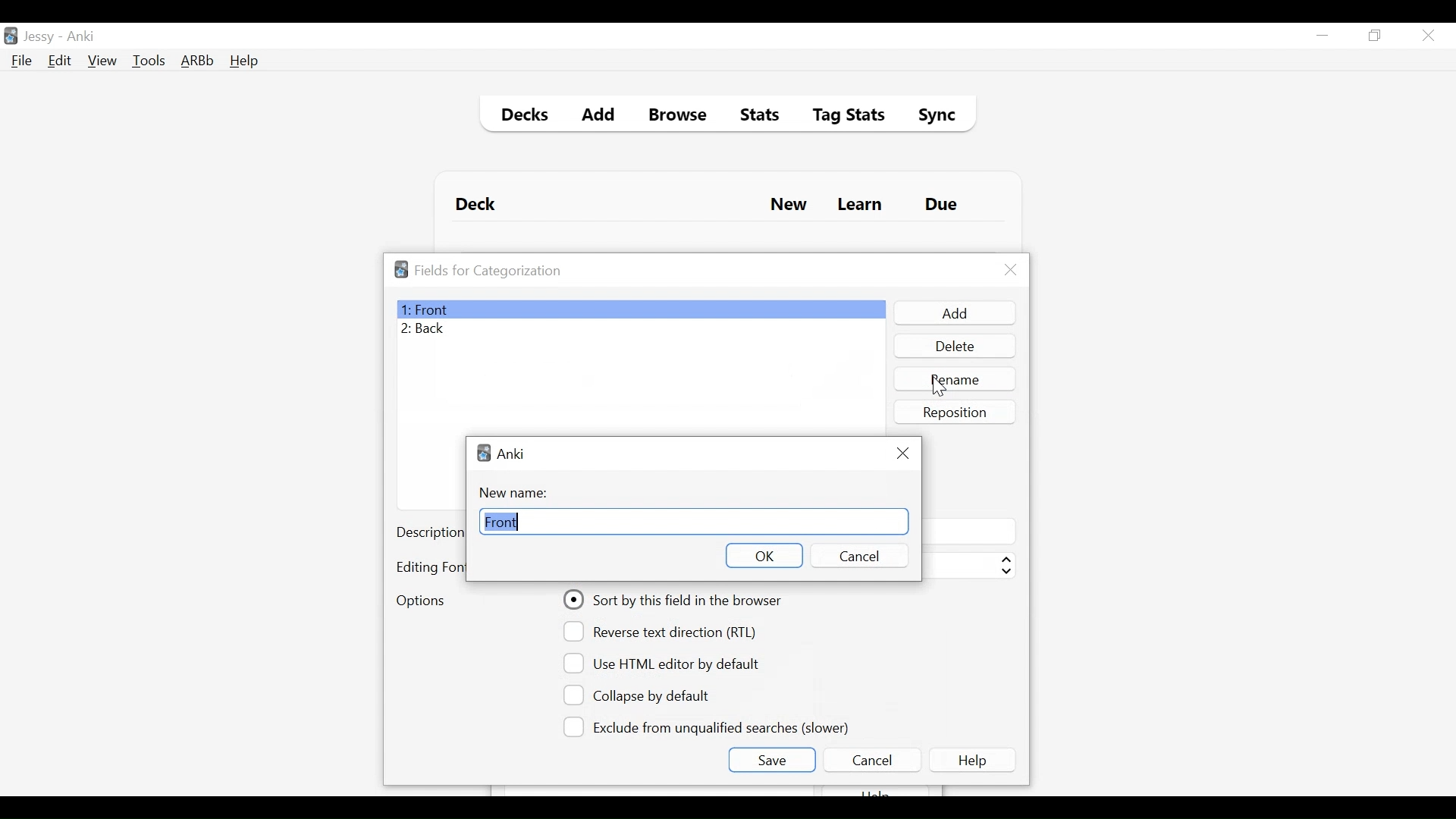 The width and height of the screenshot is (1456, 819). What do you see at coordinates (430, 534) in the screenshot?
I see `Description` at bounding box center [430, 534].